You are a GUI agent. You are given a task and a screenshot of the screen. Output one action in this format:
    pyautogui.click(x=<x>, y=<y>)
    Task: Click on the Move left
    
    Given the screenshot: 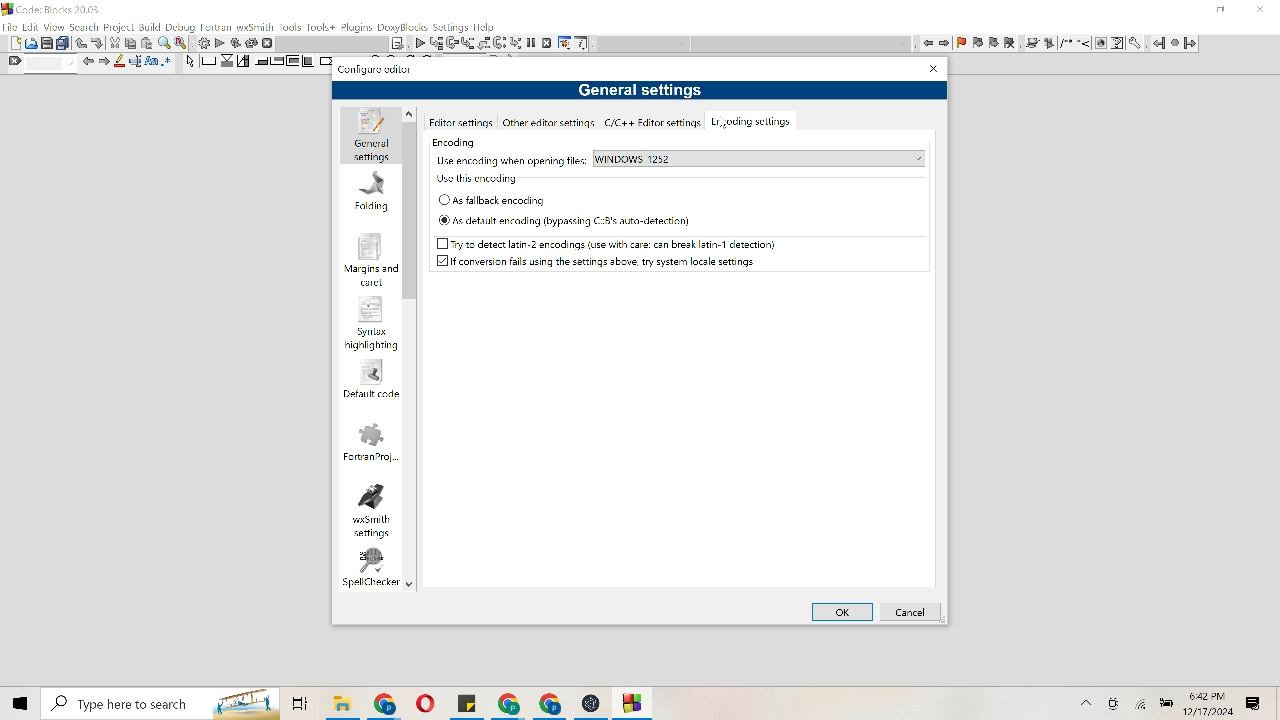 What is the action you would take?
    pyautogui.click(x=88, y=61)
    